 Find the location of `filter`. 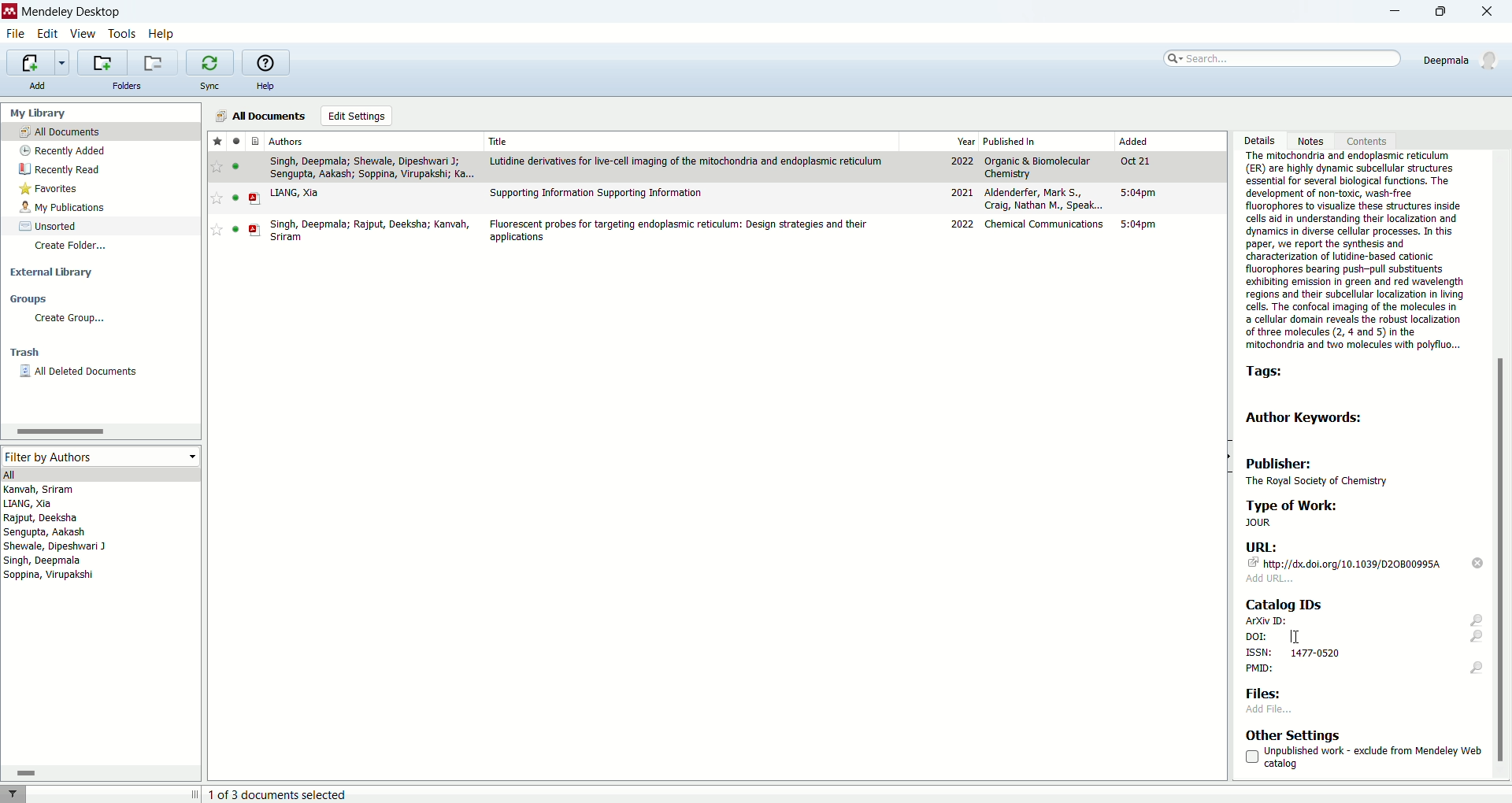

filter is located at coordinates (13, 794).